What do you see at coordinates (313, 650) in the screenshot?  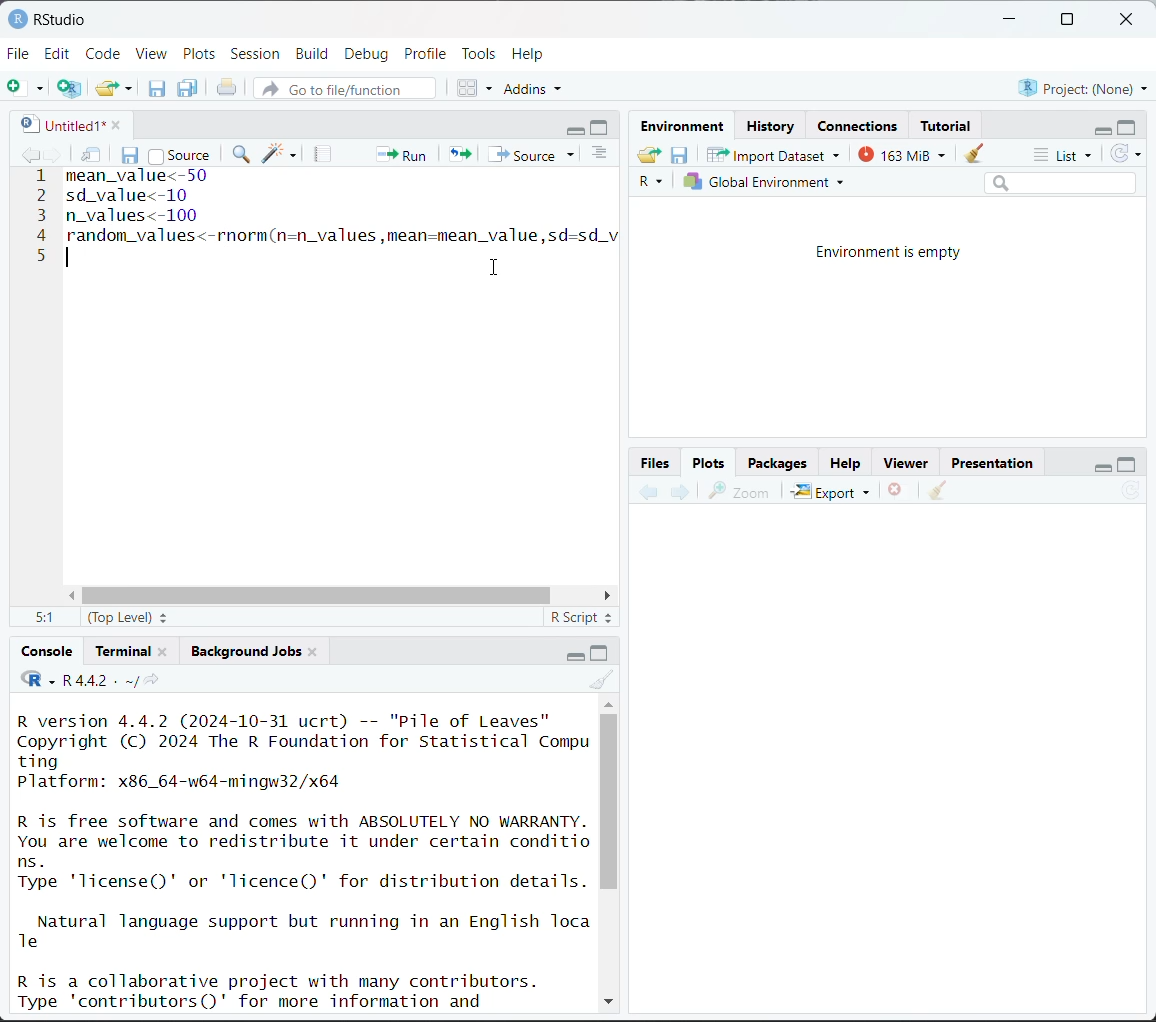 I see `close` at bounding box center [313, 650].